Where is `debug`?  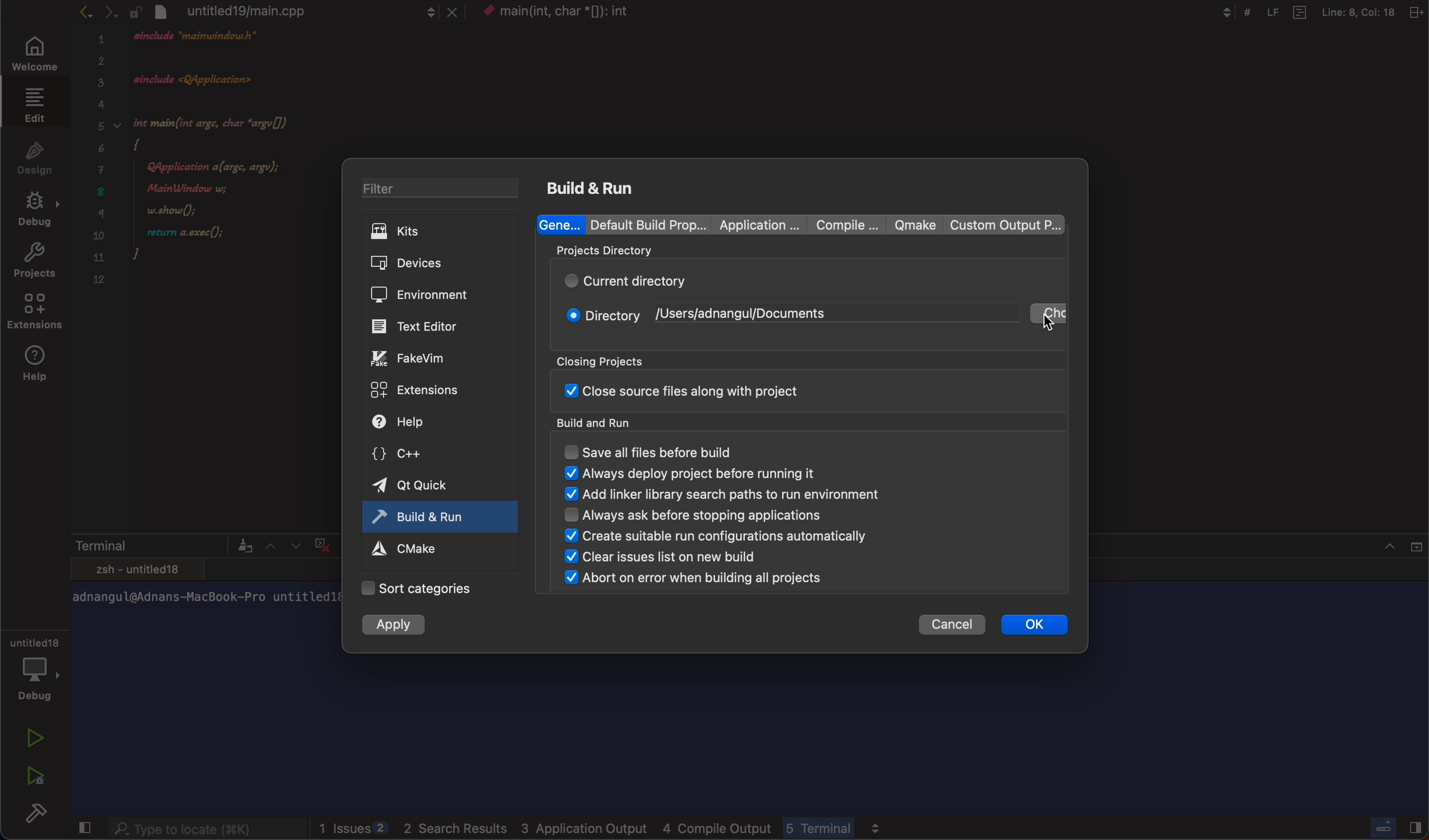
debug is located at coordinates (37, 207).